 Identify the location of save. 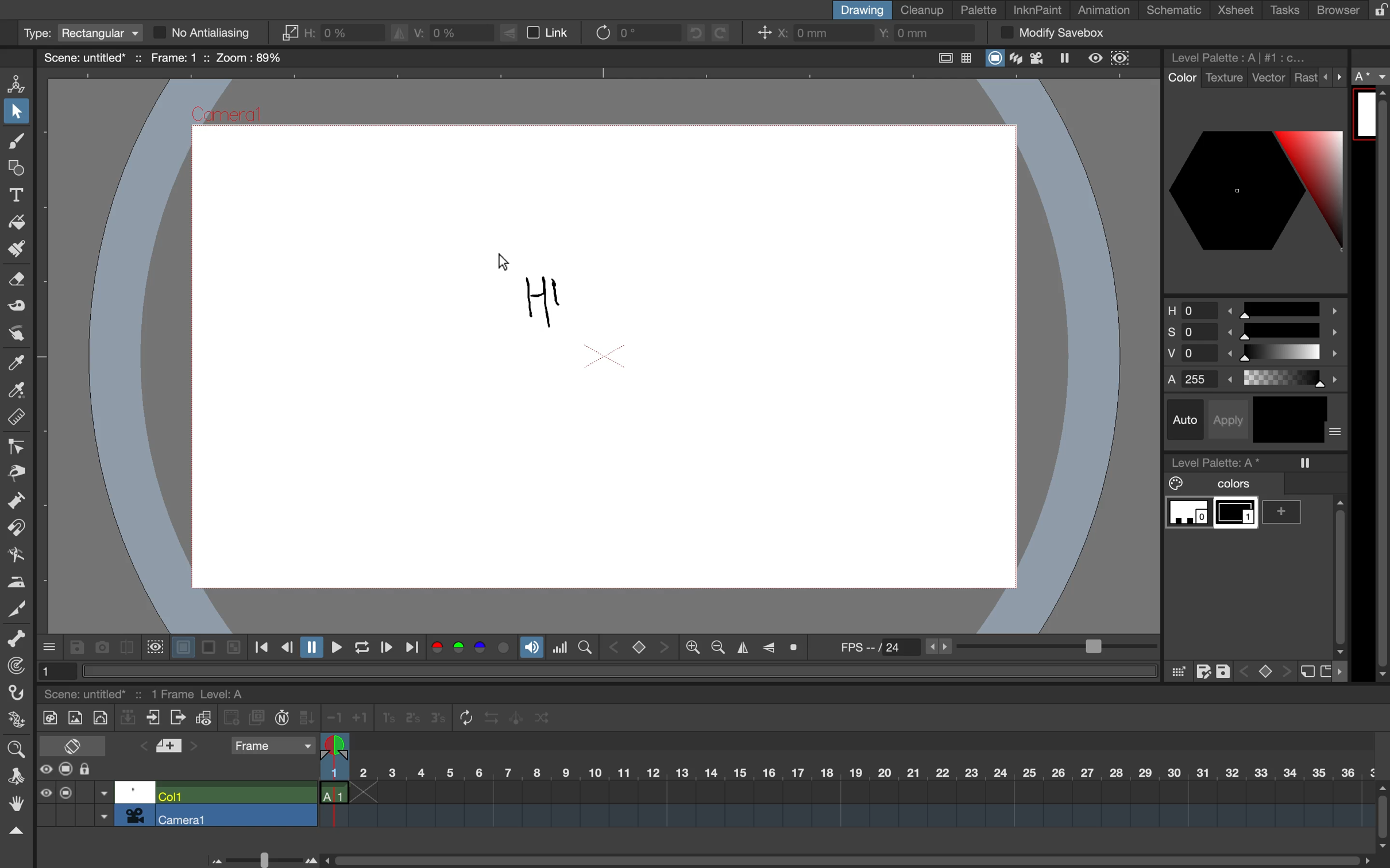
(1225, 669).